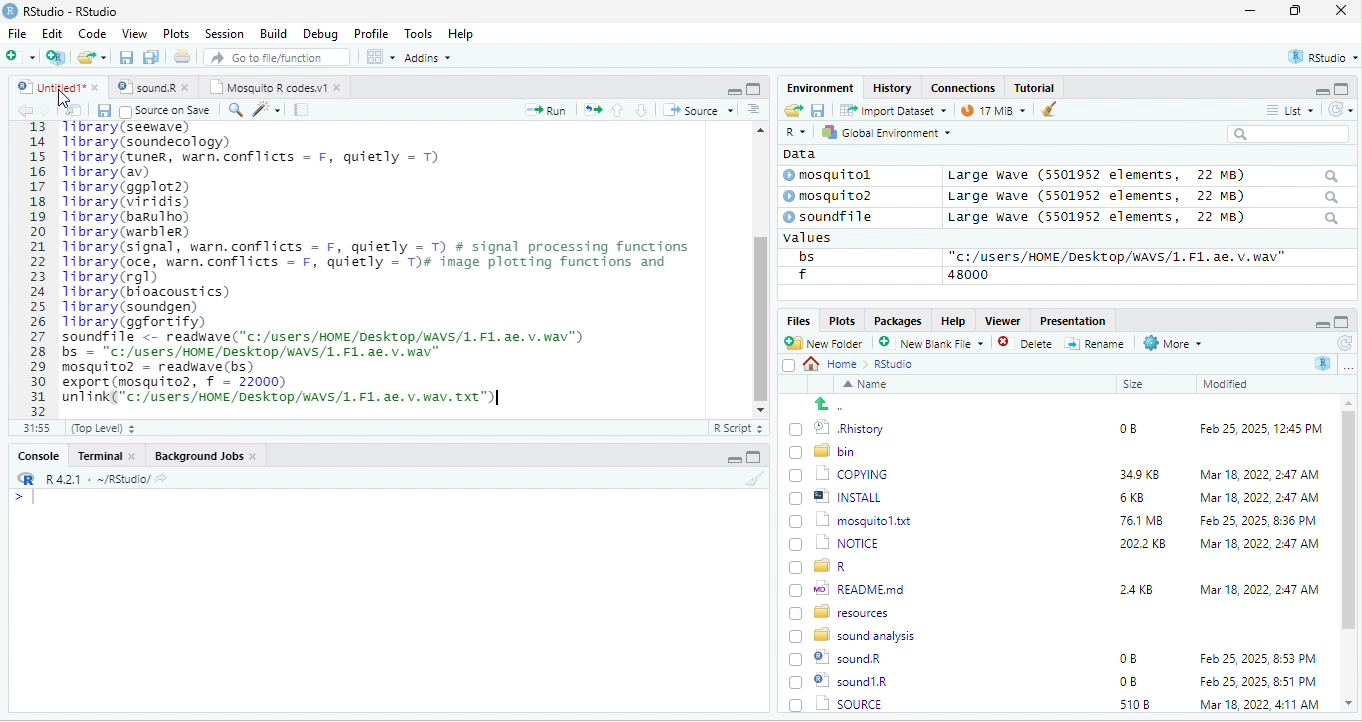 This screenshot has width=1362, height=722. I want to click on down, so click(642, 109).